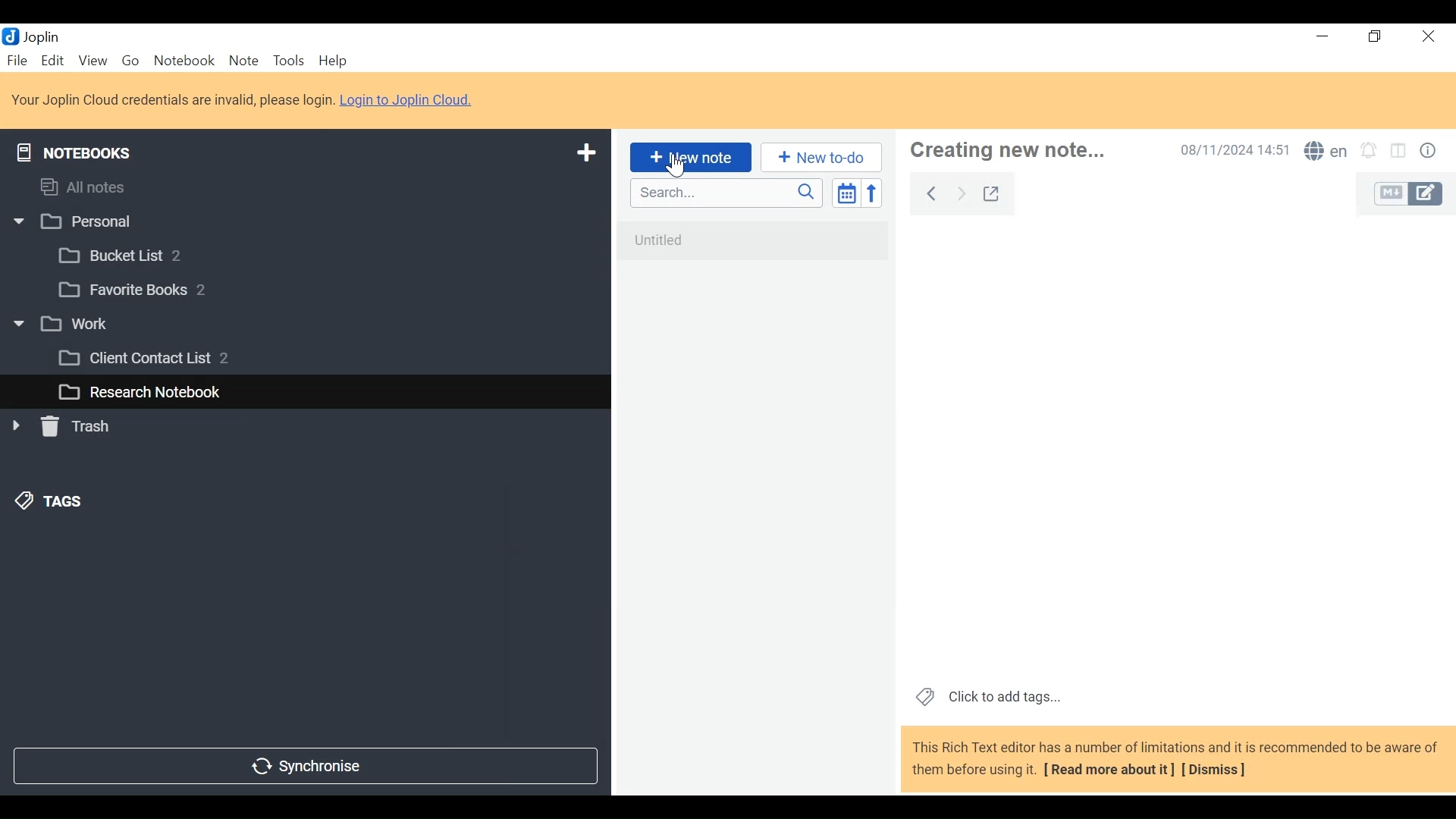 The height and width of the screenshot is (819, 1456). What do you see at coordinates (930, 191) in the screenshot?
I see `Back` at bounding box center [930, 191].